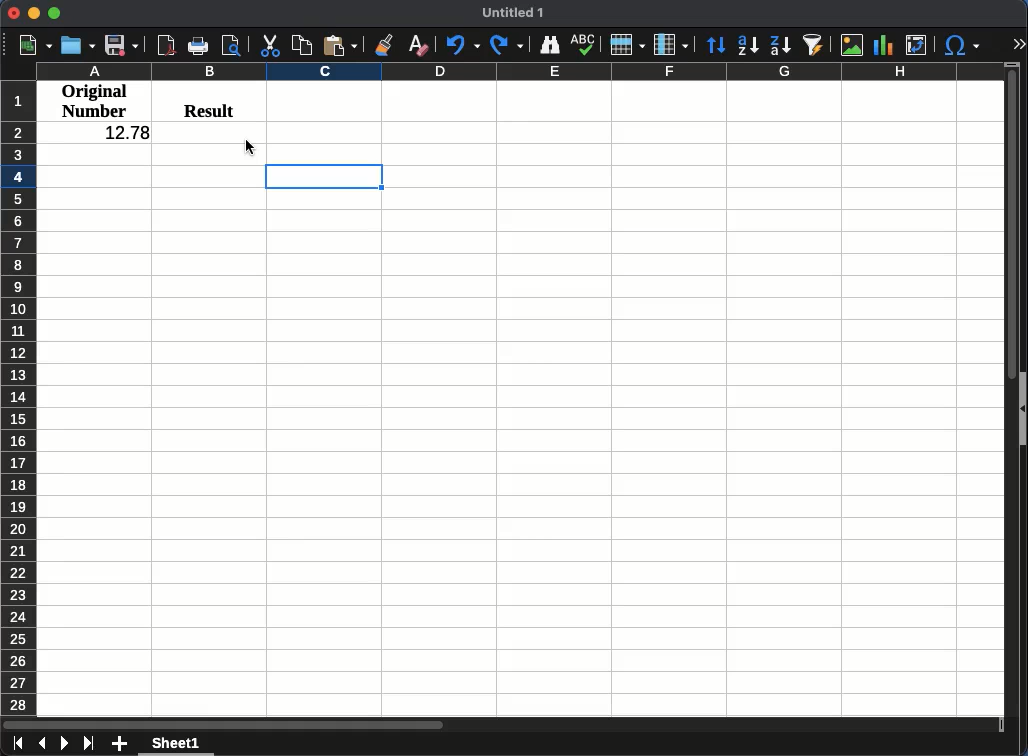 This screenshot has width=1028, height=756. Describe the element at coordinates (586, 42) in the screenshot. I see `spelling check` at that location.